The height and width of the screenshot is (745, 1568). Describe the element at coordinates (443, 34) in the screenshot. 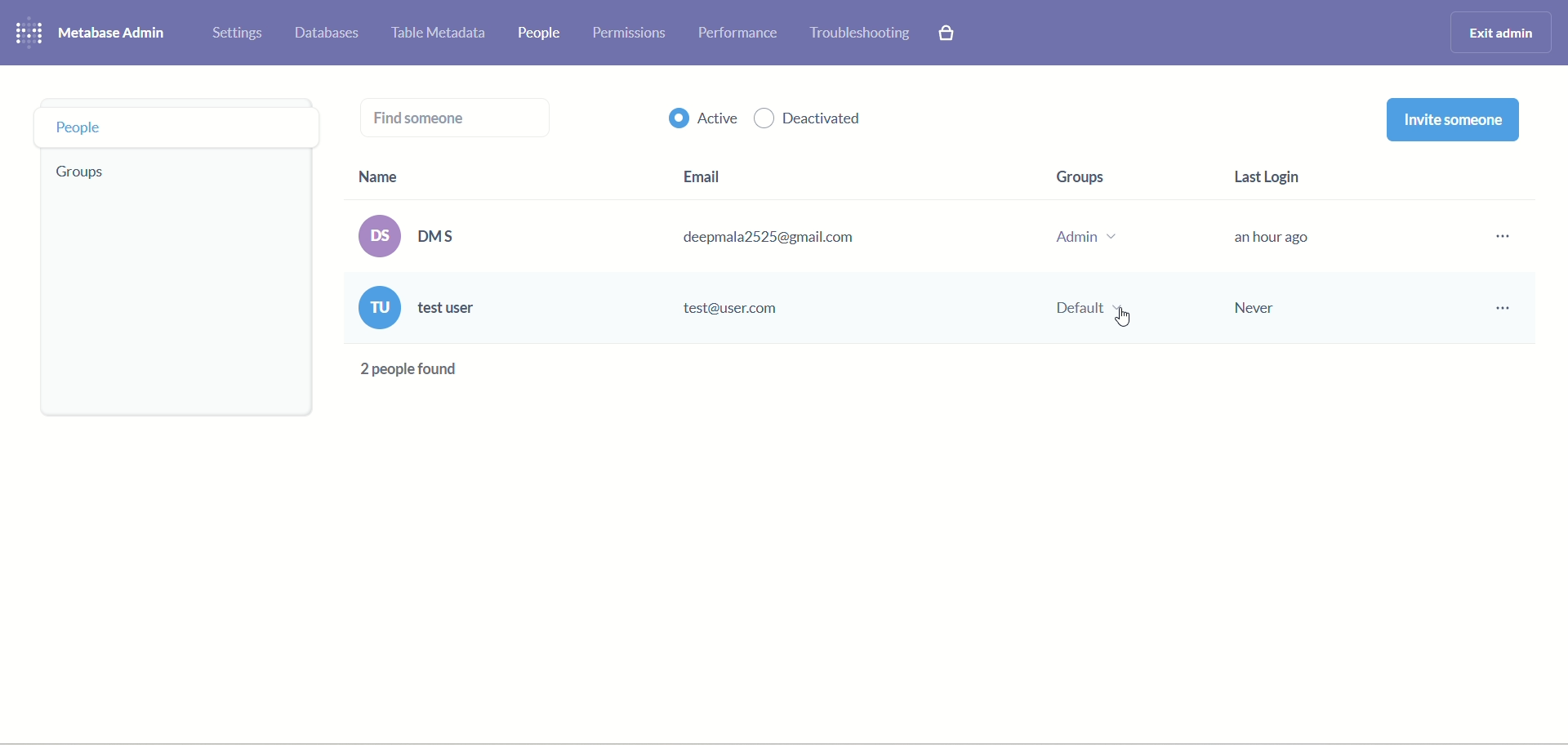

I see `table meta` at that location.